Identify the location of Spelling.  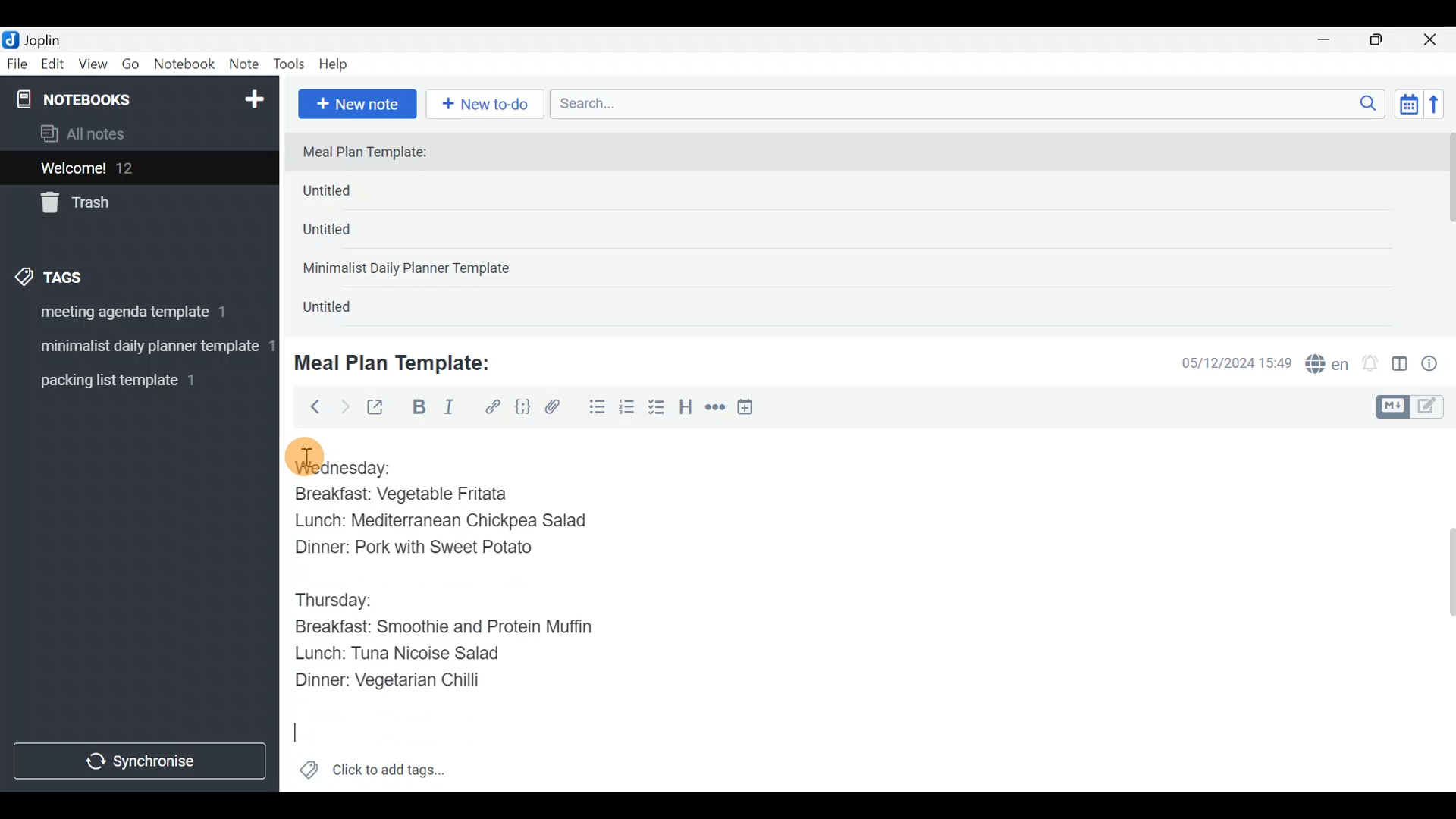
(1328, 366).